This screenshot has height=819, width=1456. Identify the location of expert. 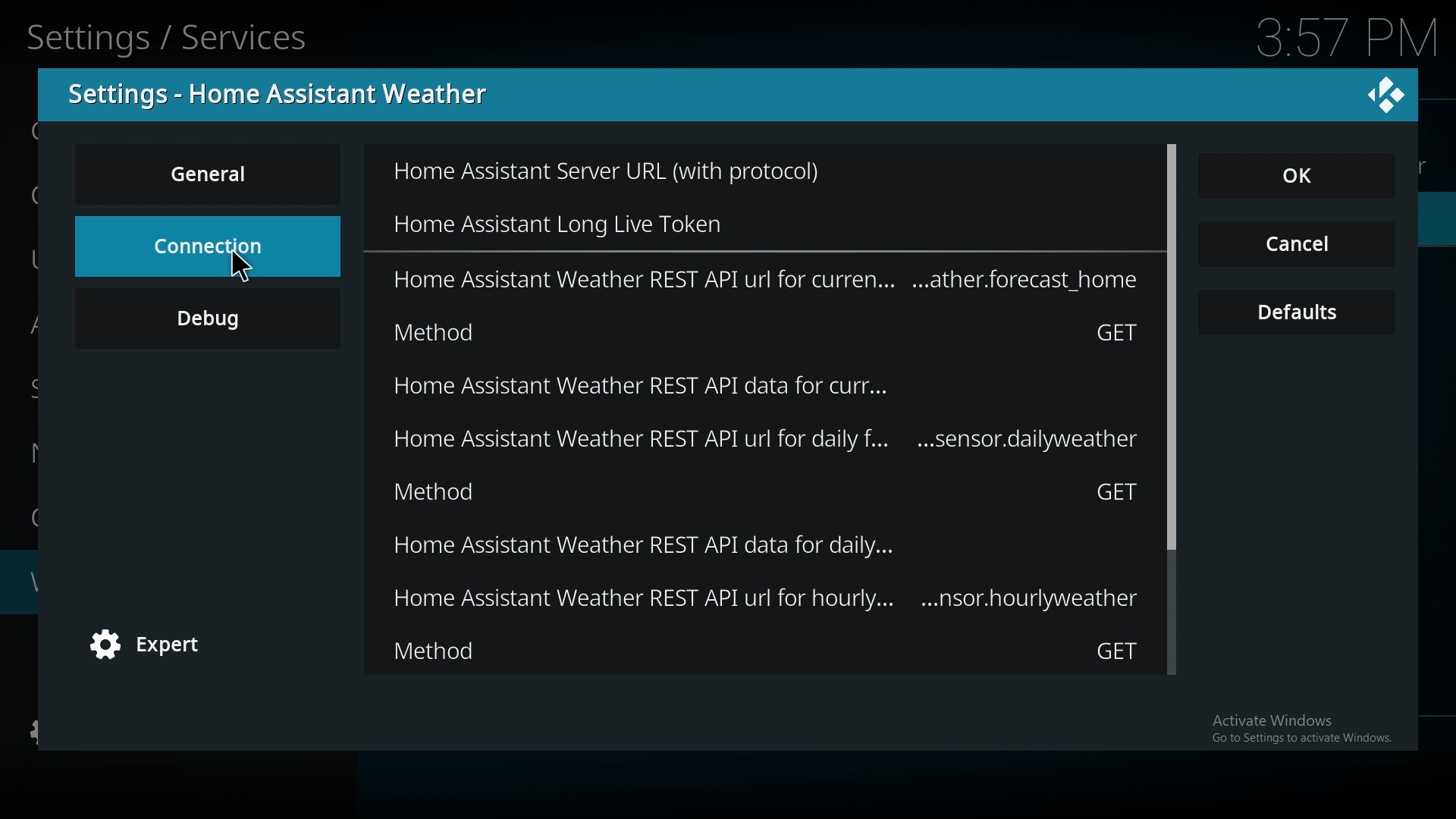
(155, 646).